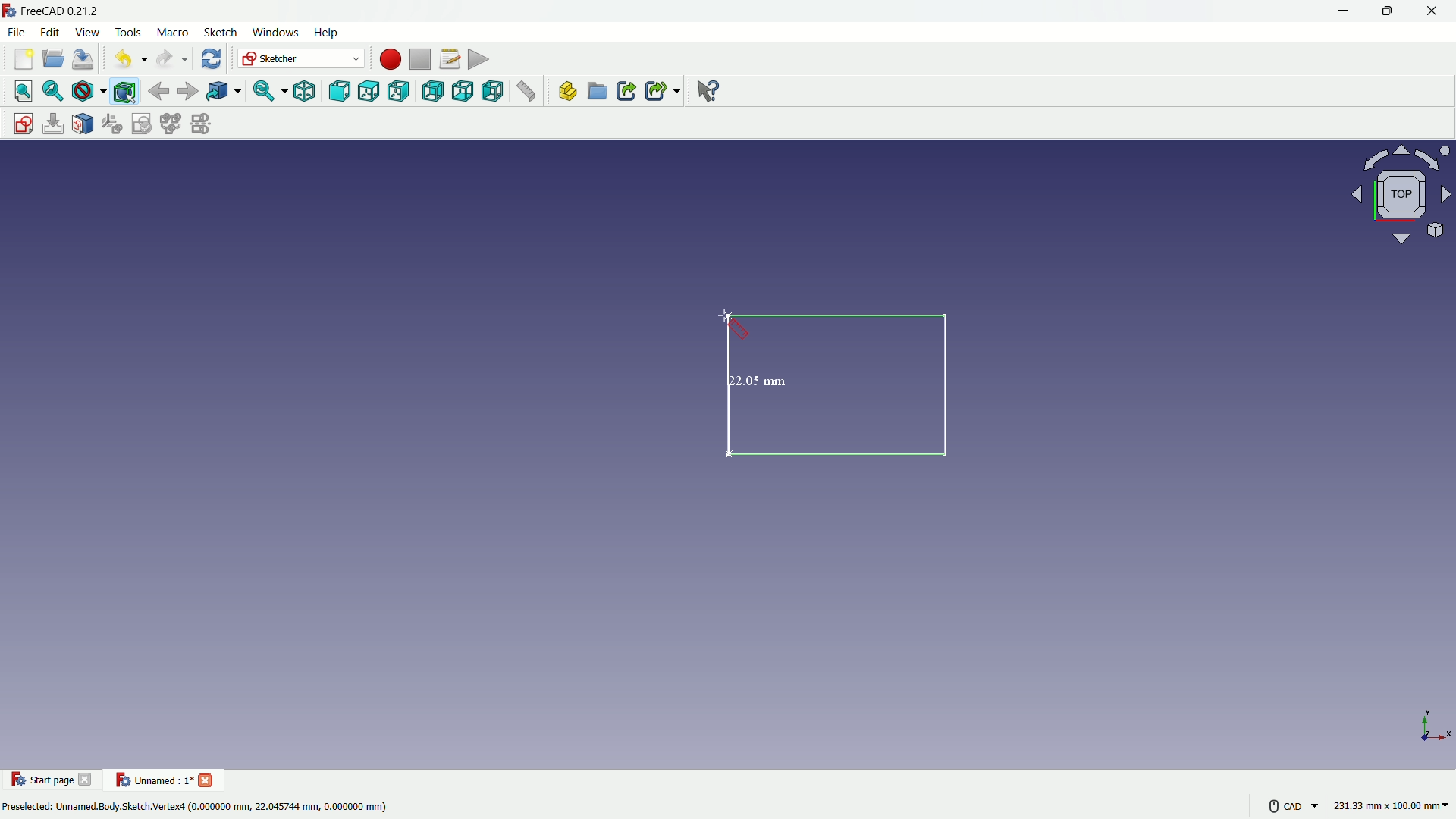 Image resolution: width=1456 pixels, height=819 pixels. I want to click on create group, so click(598, 93).